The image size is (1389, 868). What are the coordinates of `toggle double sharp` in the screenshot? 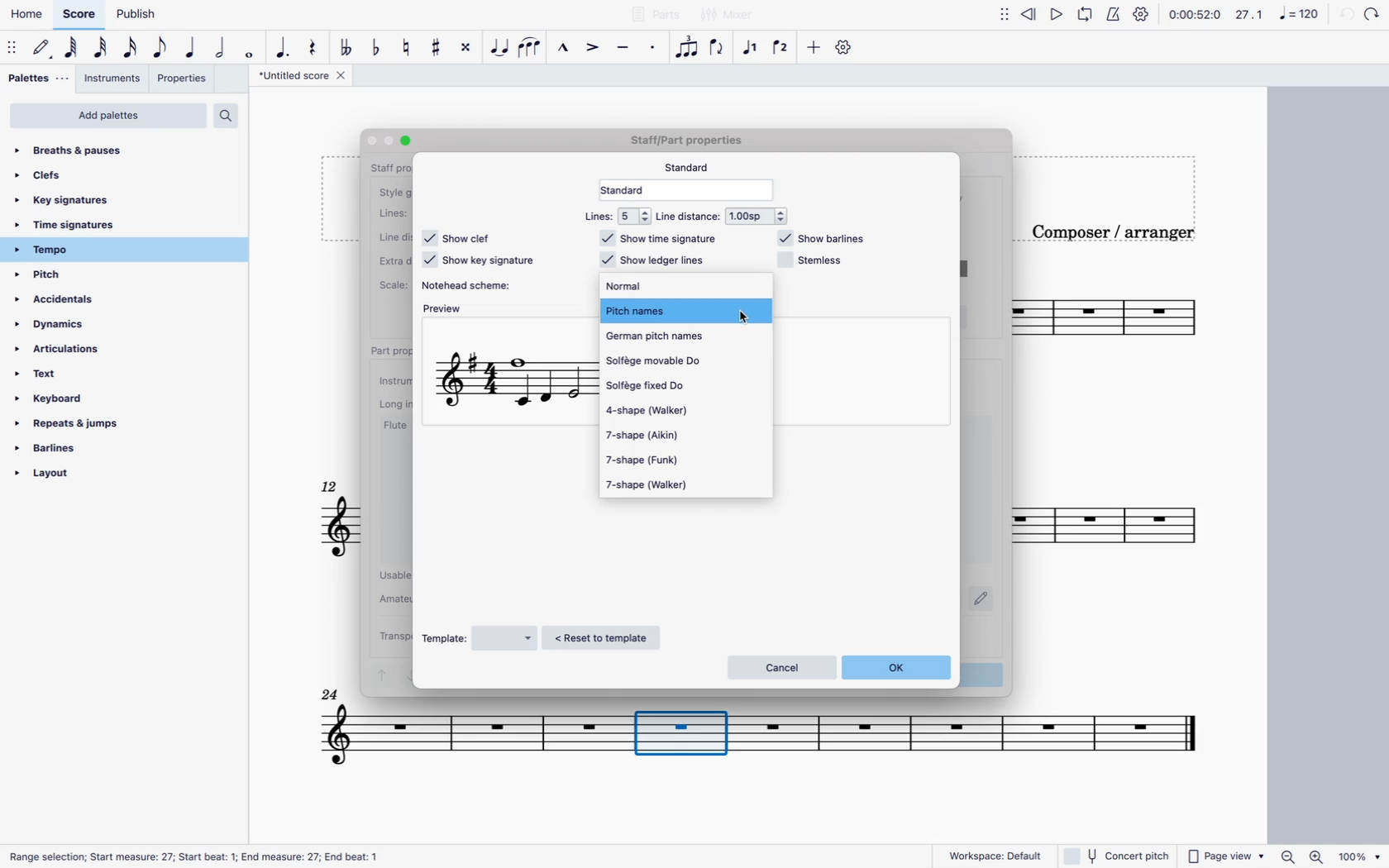 It's located at (464, 47).